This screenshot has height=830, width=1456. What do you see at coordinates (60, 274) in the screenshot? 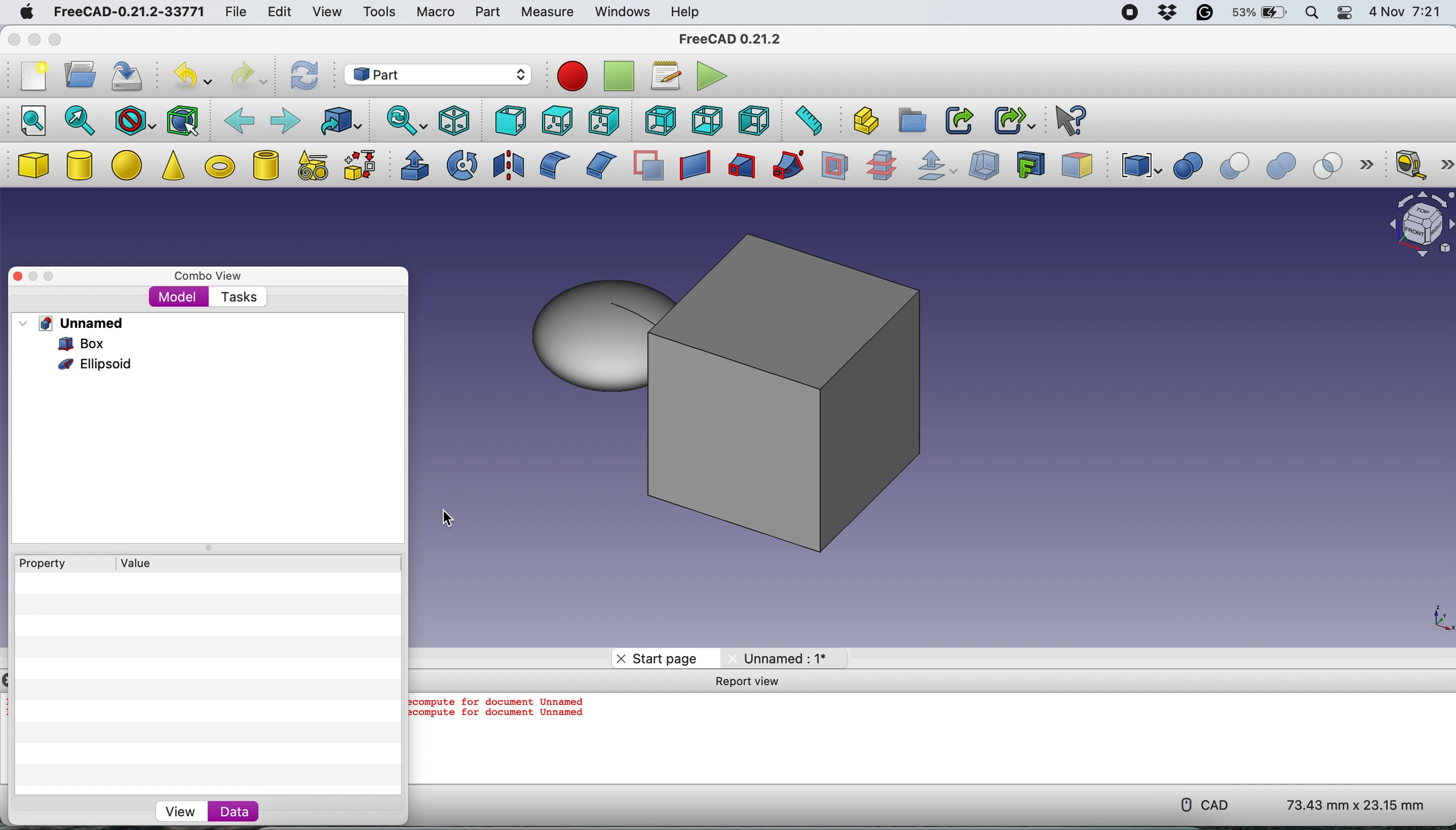
I see `maximise` at bounding box center [60, 274].